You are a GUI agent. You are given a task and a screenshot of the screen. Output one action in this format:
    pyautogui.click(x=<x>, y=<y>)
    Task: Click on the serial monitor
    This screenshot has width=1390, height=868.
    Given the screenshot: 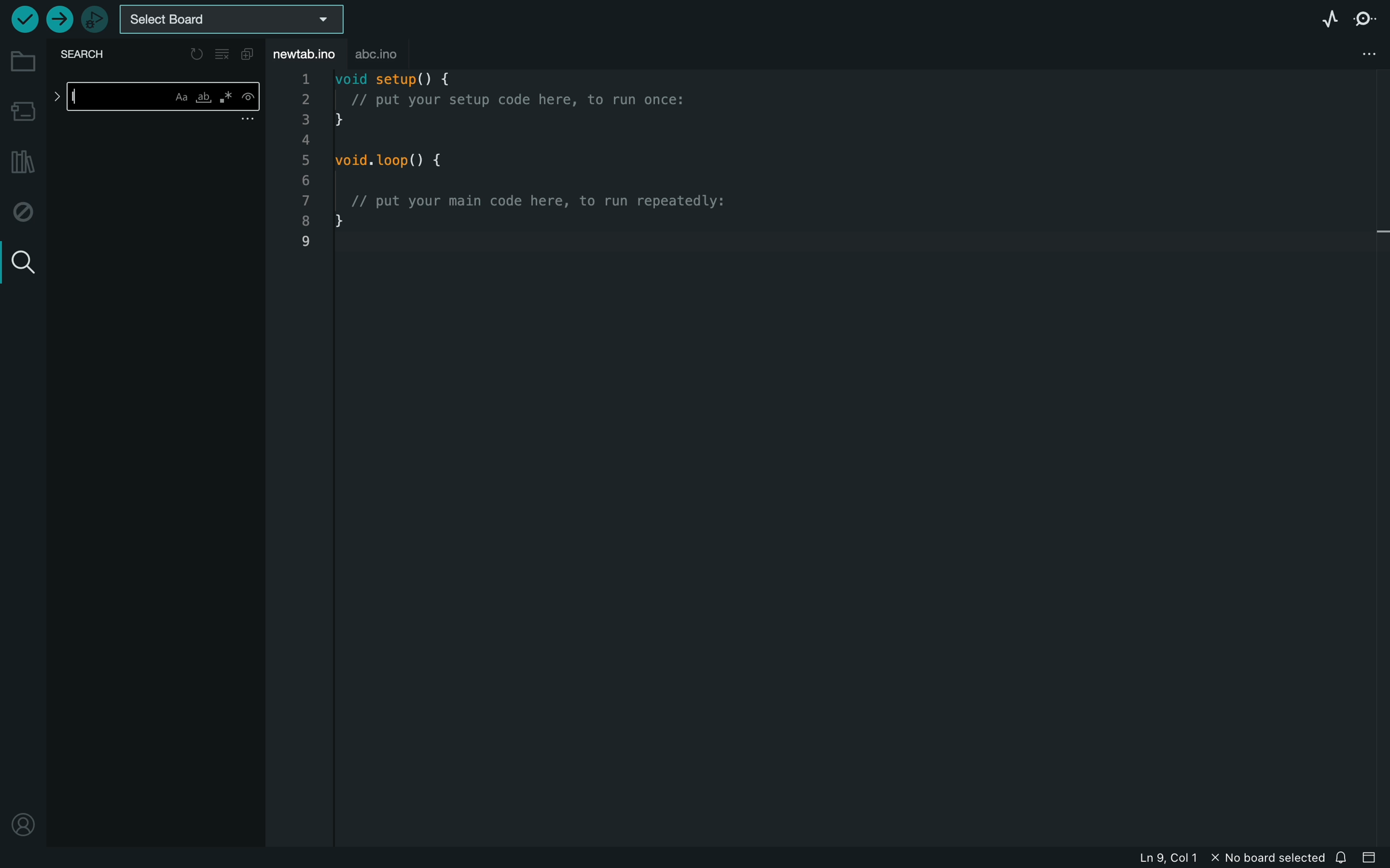 What is the action you would take?
    pyautogui.click(x=1364, y=21)
    